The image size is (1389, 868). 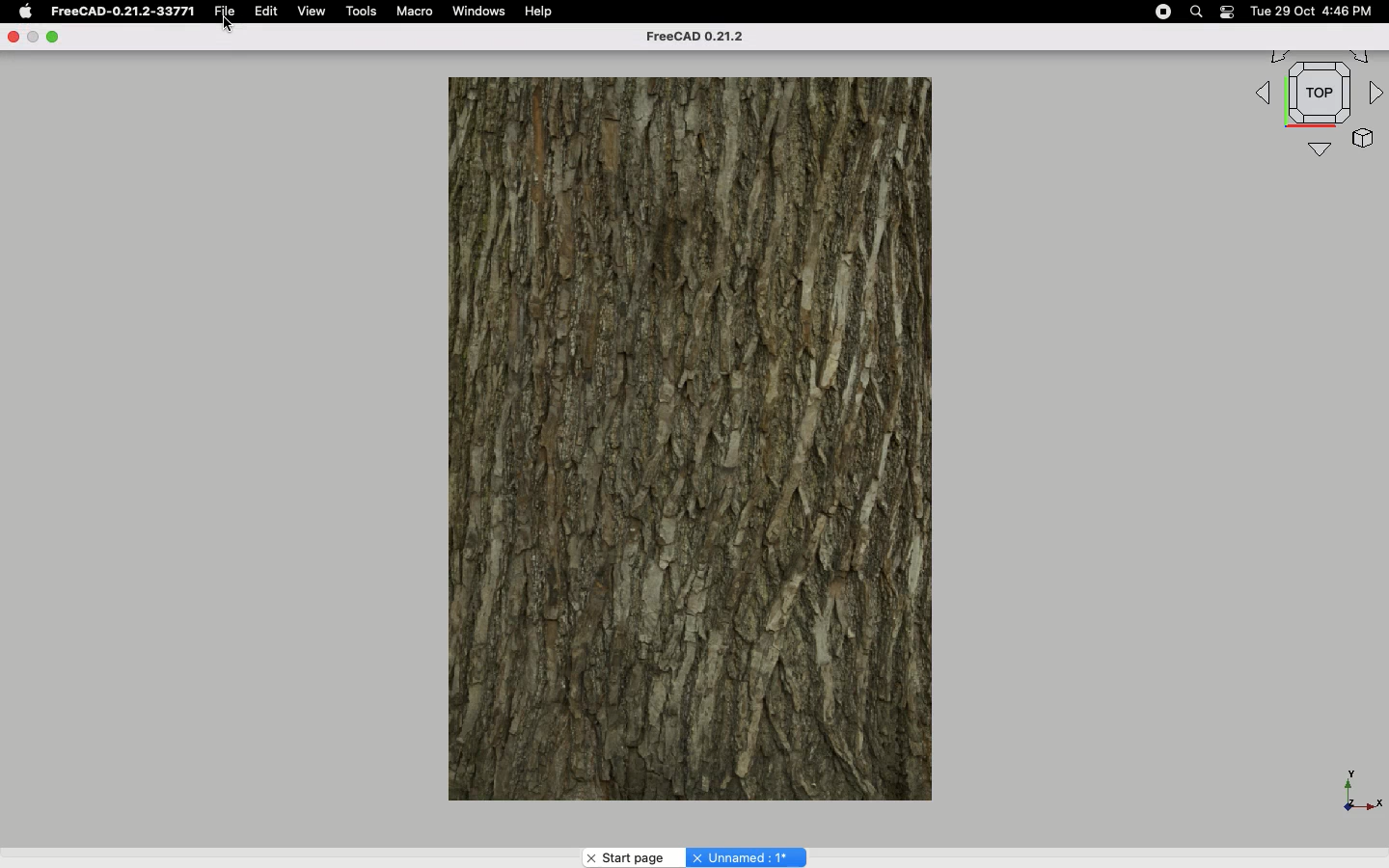 What do you see at coordinates (225, 10) in the screenshot?
I see `File` at bounding box center [225, 10].